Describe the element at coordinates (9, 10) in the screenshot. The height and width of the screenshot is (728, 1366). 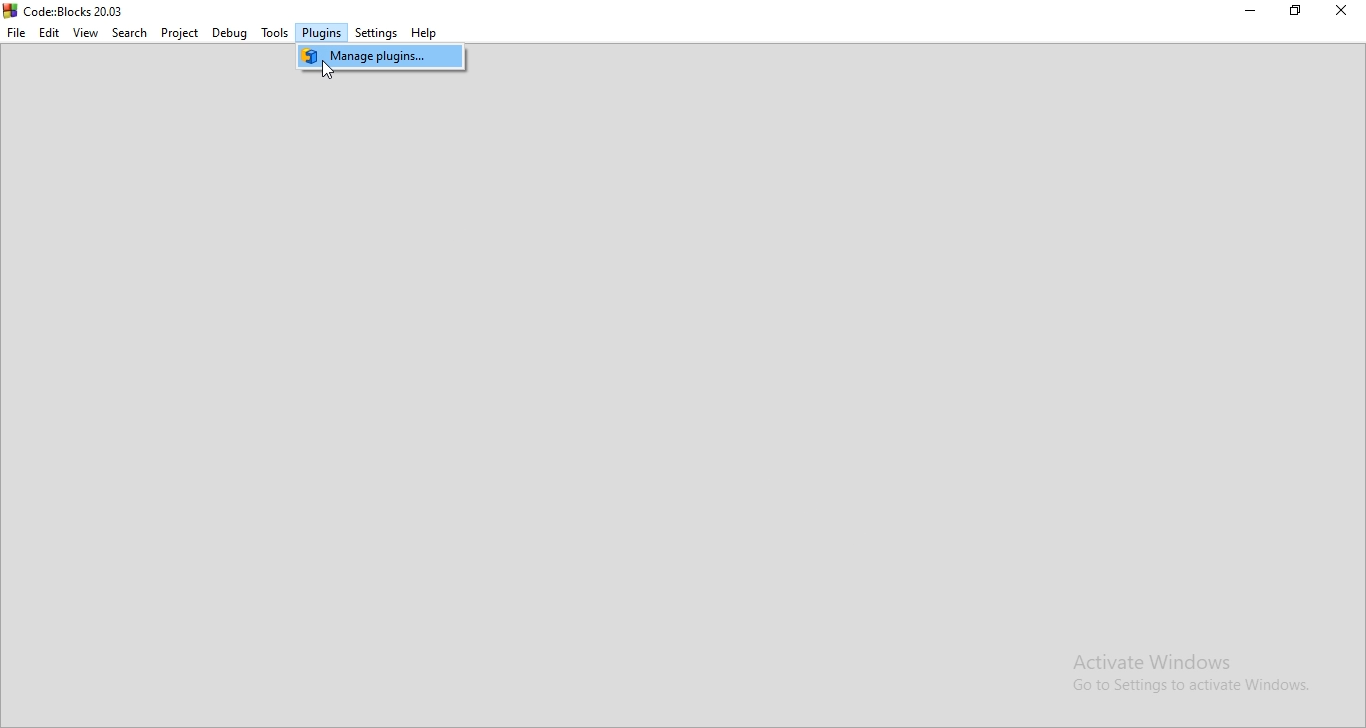
I see `CodeBlocks Desktop icon` at that location.